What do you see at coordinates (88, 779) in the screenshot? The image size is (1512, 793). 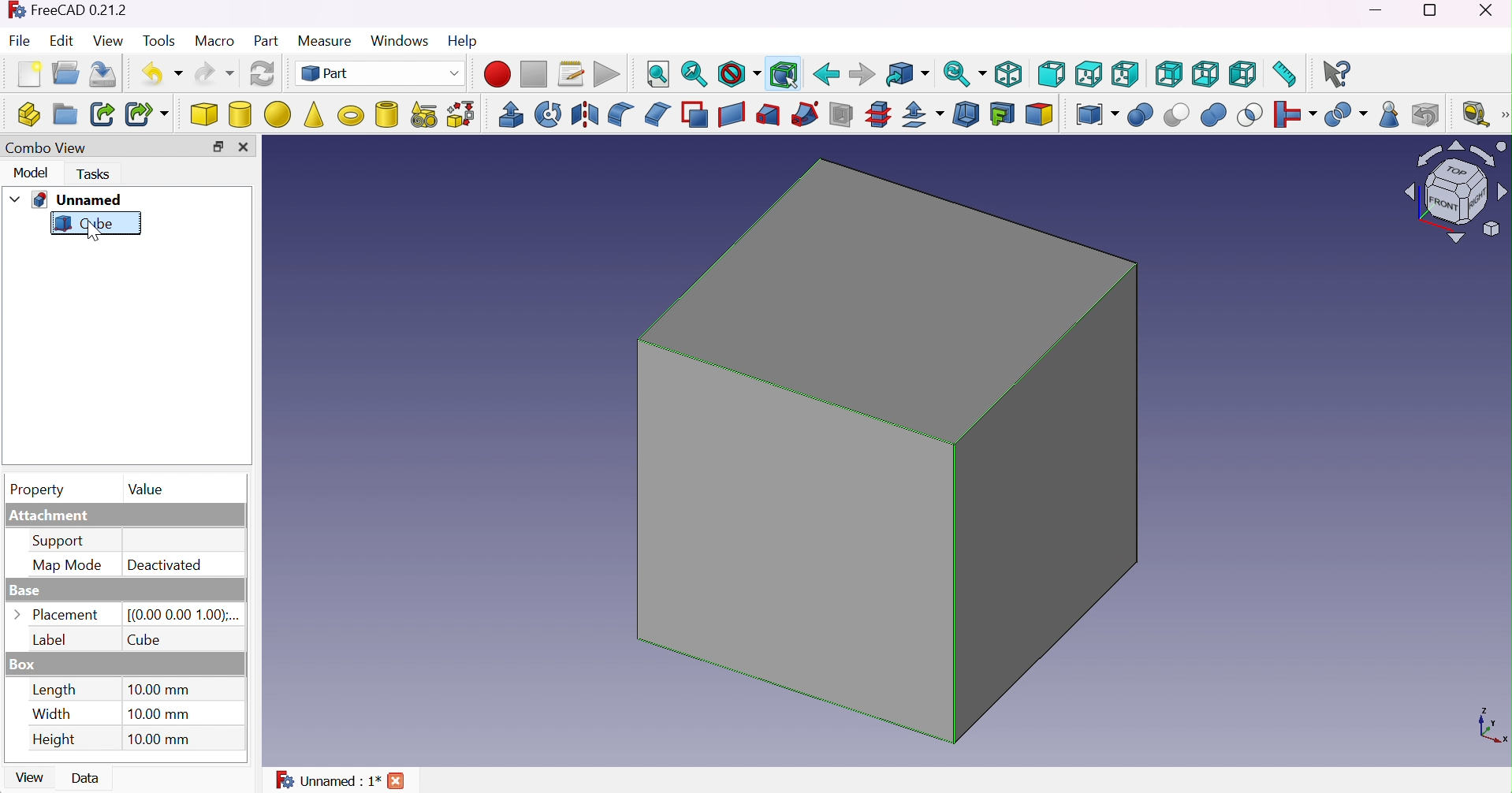 I see `Data` at bounding box center [88, 779].